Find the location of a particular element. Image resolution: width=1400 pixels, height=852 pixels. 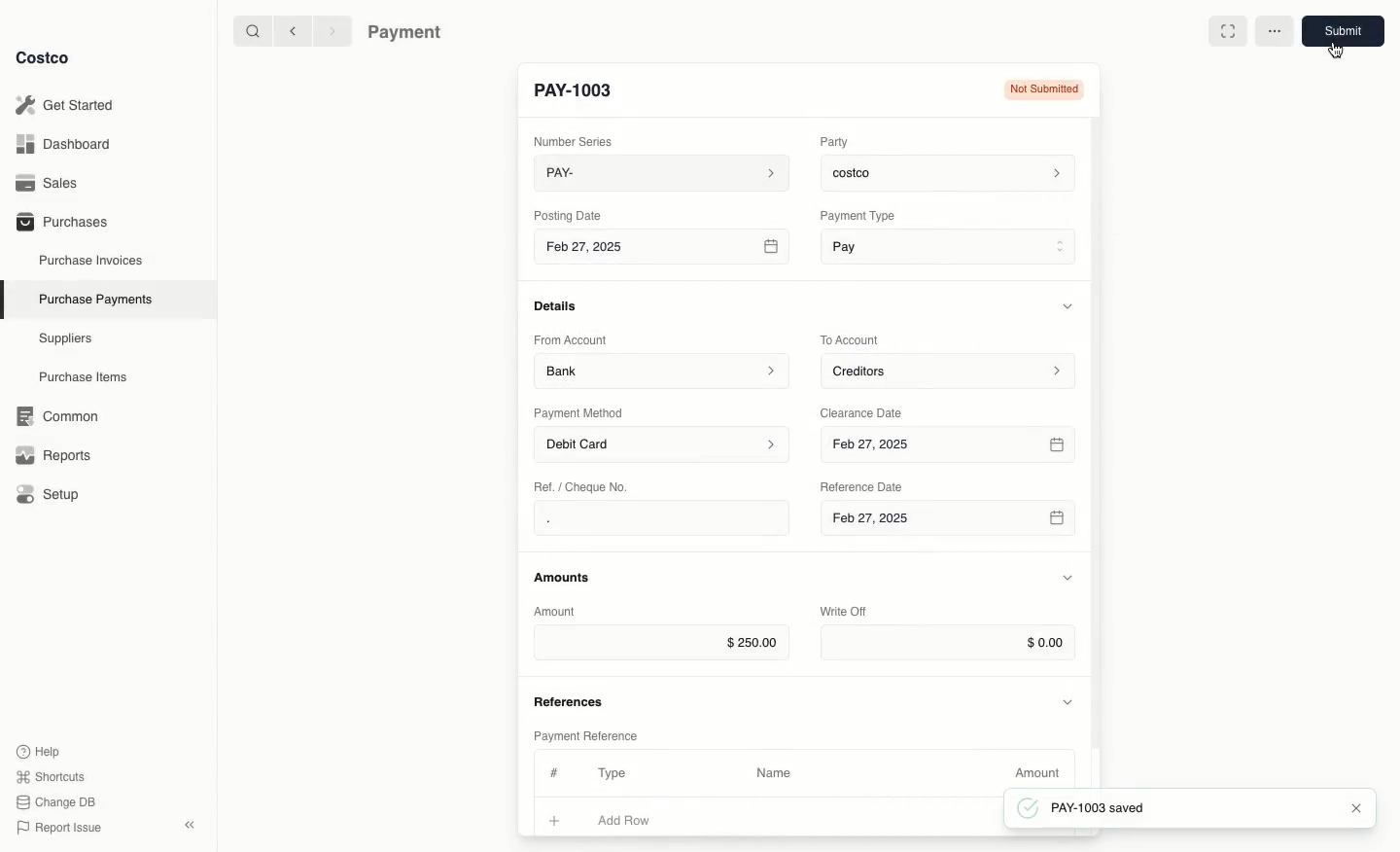

References is located at coordinates (572, 699).